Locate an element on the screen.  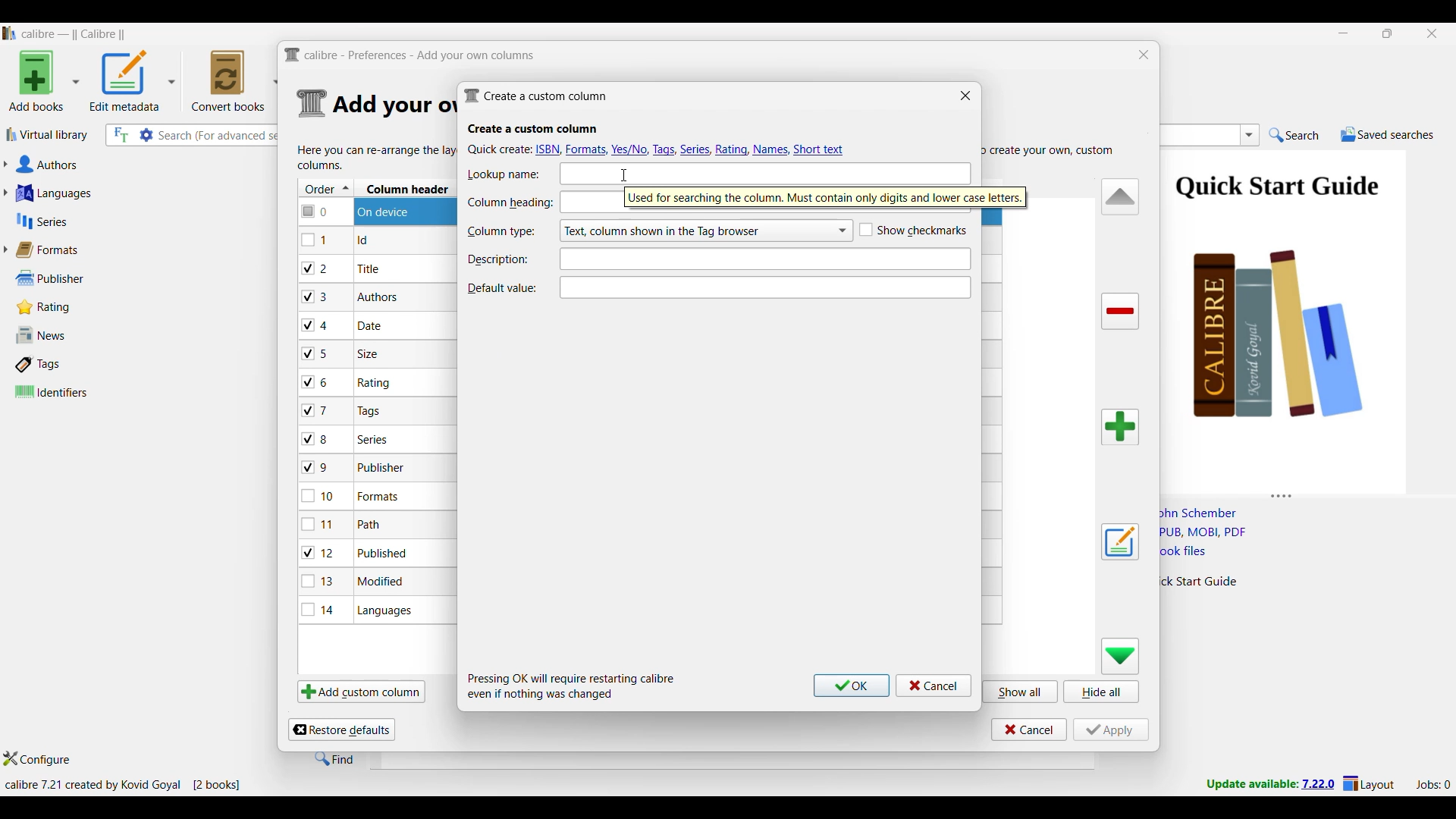
Description of steps following saving inputs made is located at coordinates (572, 686).